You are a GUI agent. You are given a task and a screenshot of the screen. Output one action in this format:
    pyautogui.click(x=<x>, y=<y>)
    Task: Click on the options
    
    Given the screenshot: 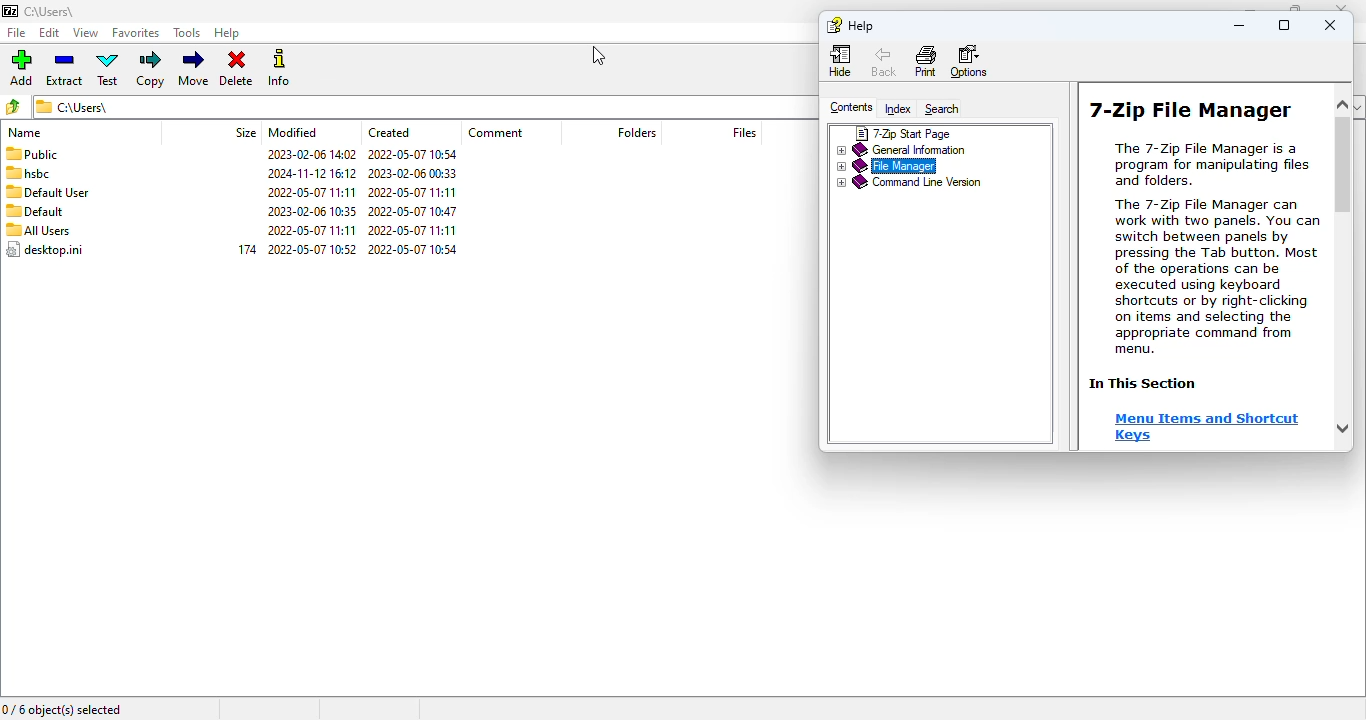 What is the action you would take?
    pyautogui.click(x=969, y=60)
    